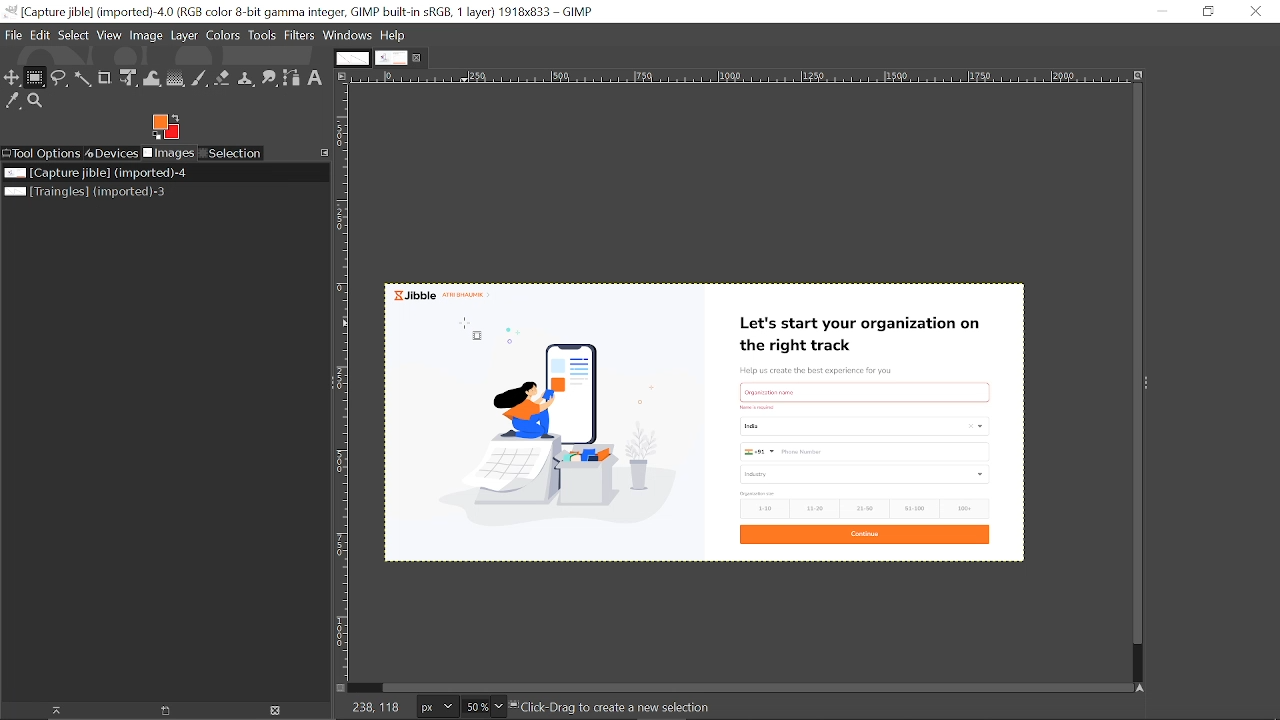  What do you see at coordinates (315, 77) in the screenshot?
I see `Add text` at bounding box center [315, 77].